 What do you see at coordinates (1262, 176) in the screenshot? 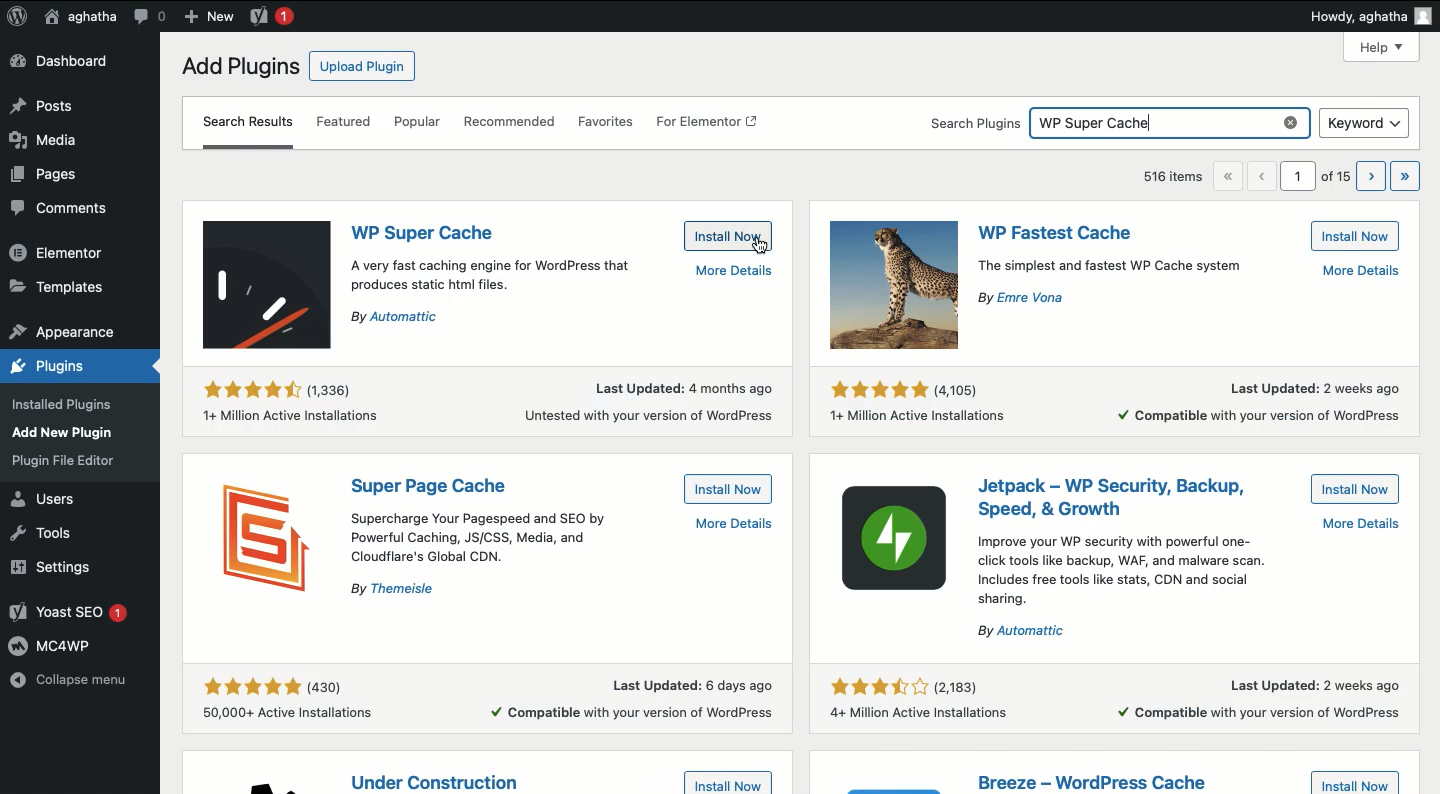
I see `previous page` at bounding box center [1262, 176].